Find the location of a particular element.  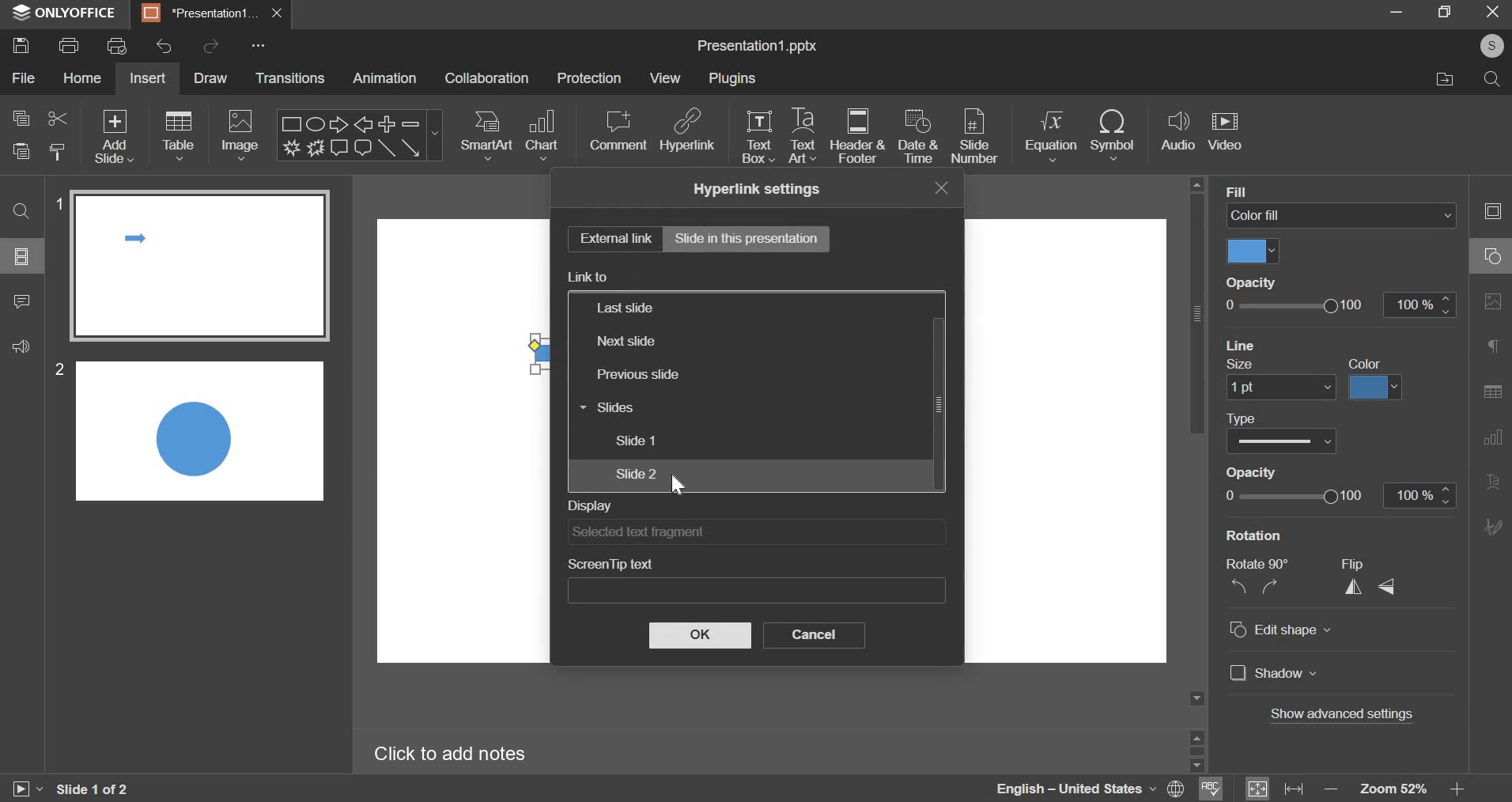

slide in this presentation is located at coordinates (746, 237).